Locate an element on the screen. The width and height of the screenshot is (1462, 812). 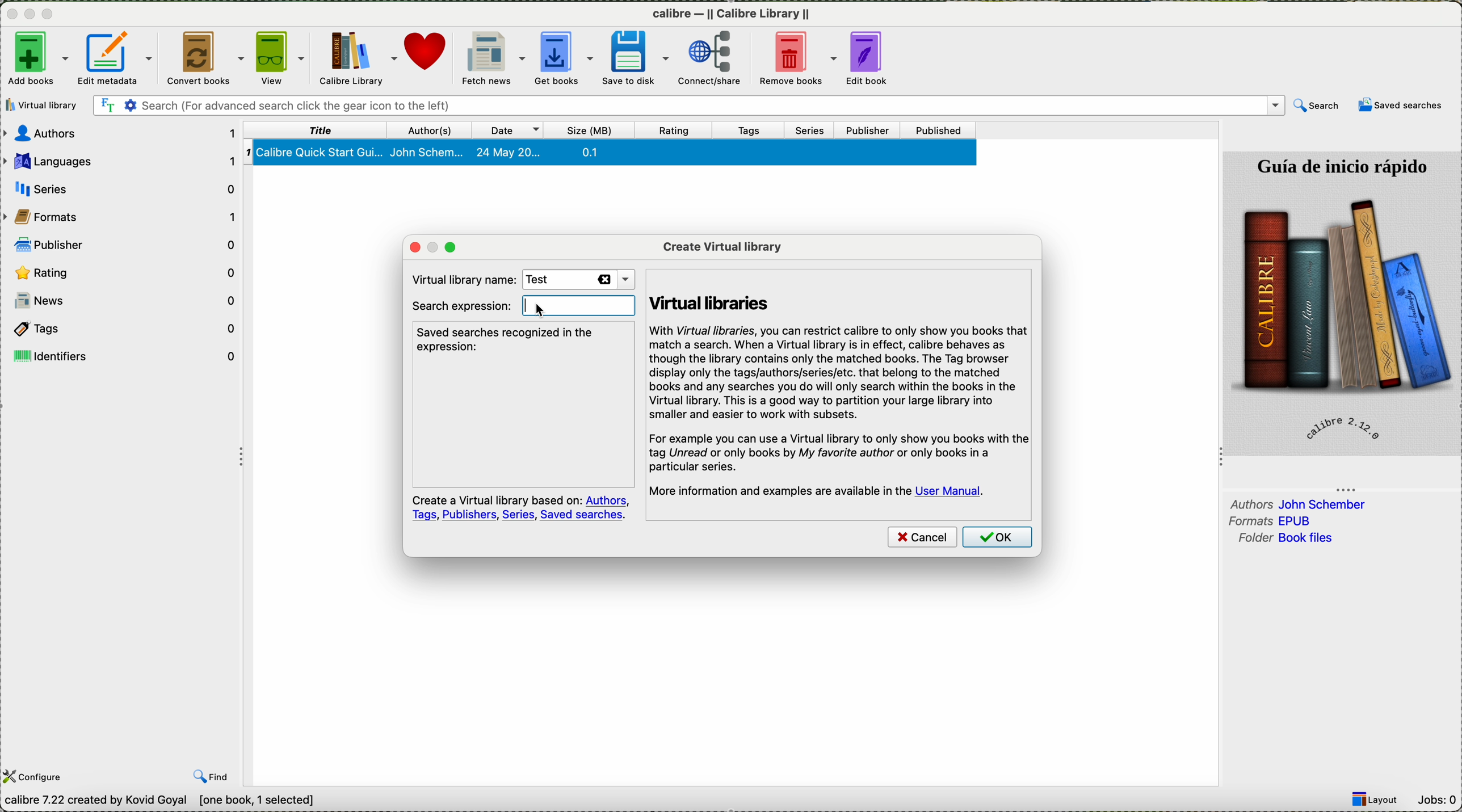
authors is located at coordinates (435, 128).